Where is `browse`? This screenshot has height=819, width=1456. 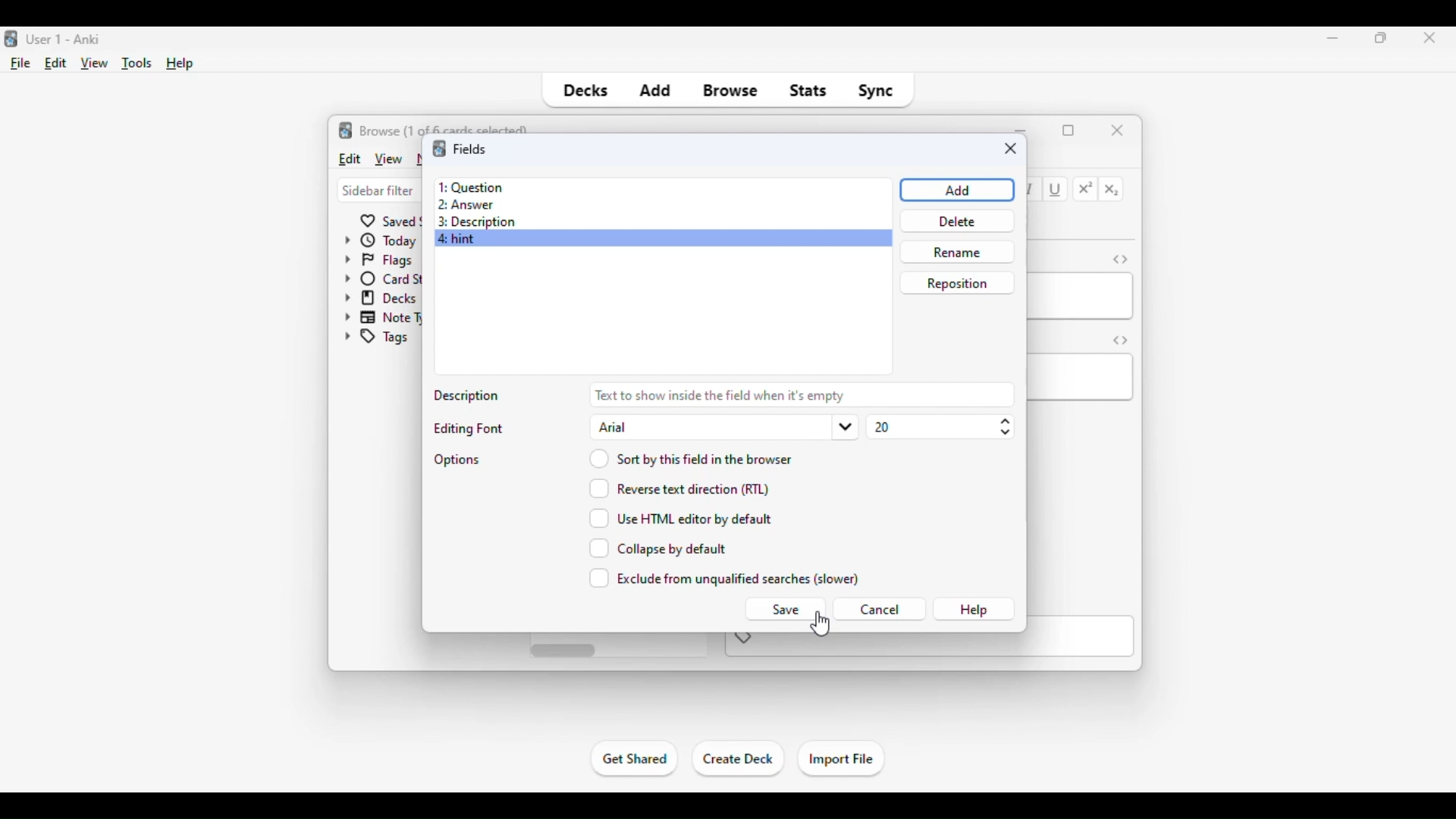
browse is located at coordinates (731, 91).